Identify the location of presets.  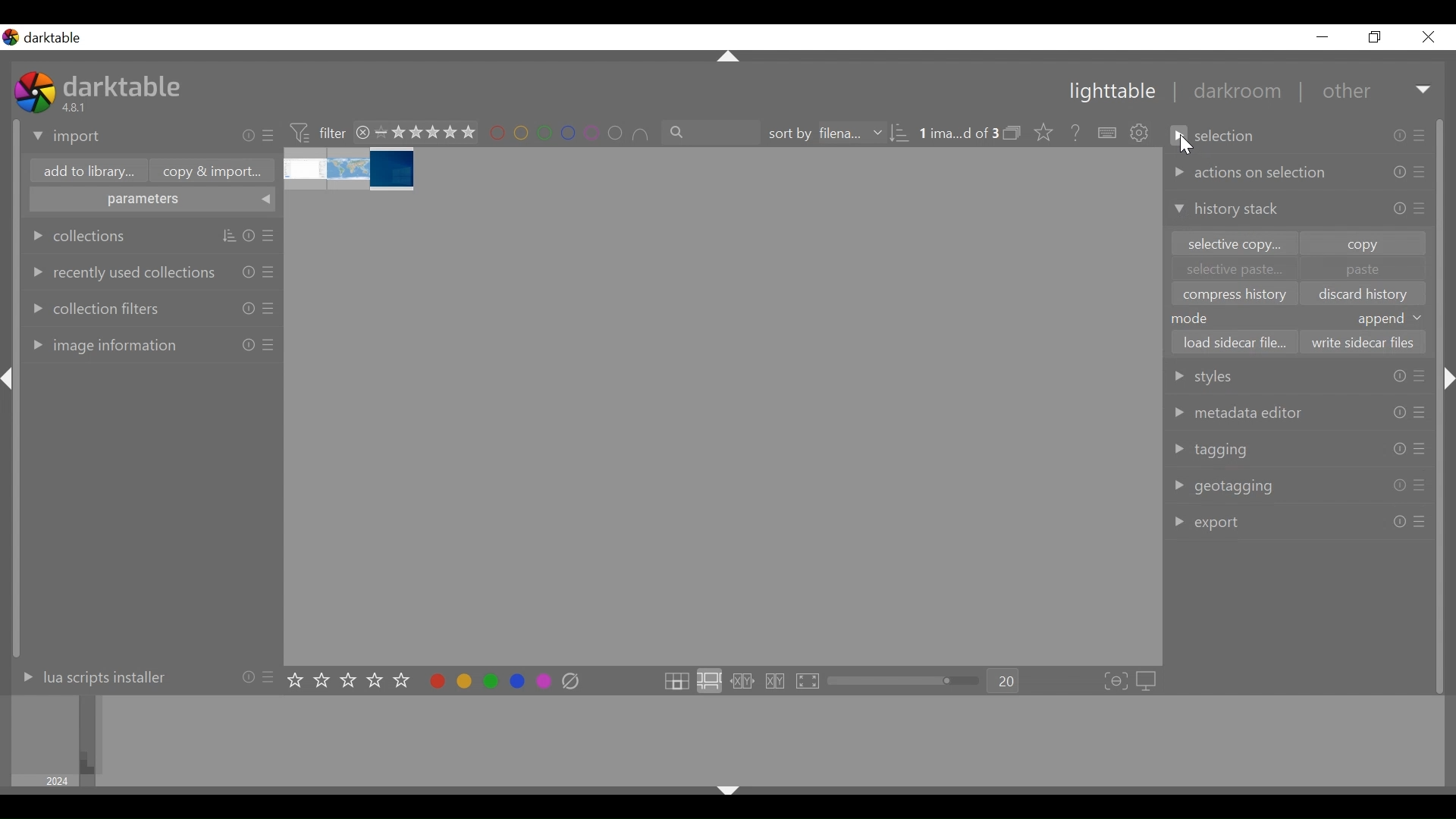
(1419, 413).